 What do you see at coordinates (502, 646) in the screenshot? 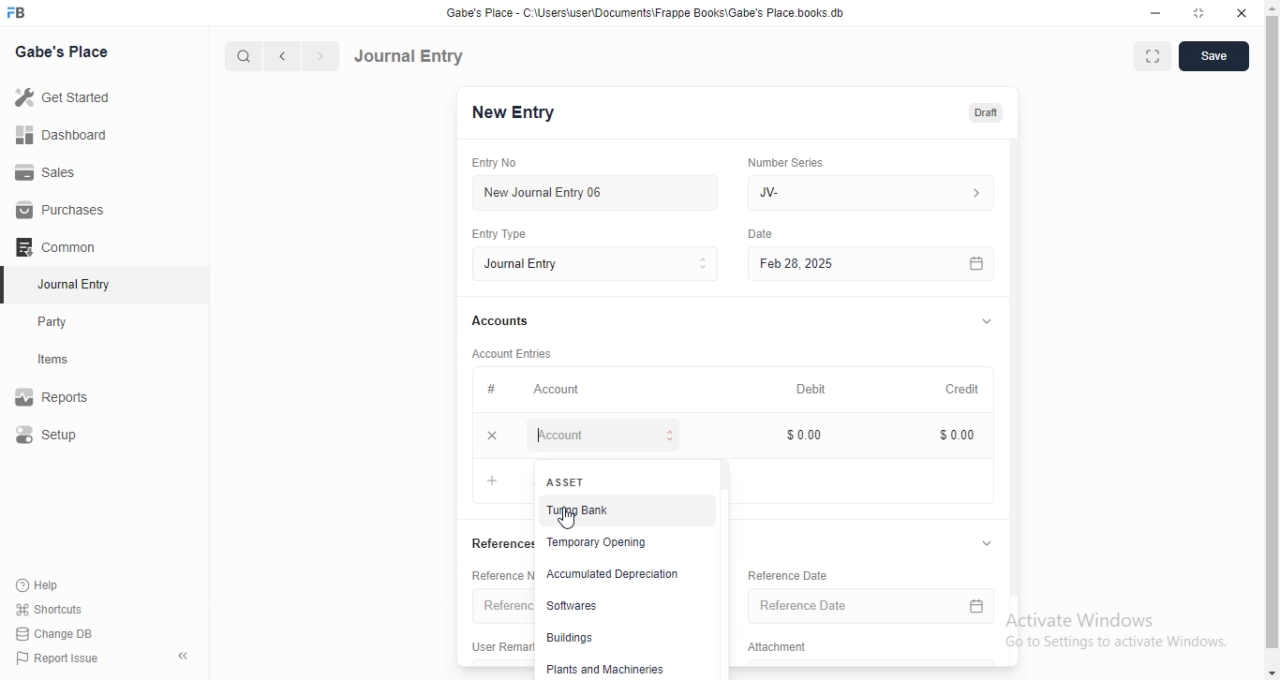
I see `User Remark` at bounding box center [502, 646].